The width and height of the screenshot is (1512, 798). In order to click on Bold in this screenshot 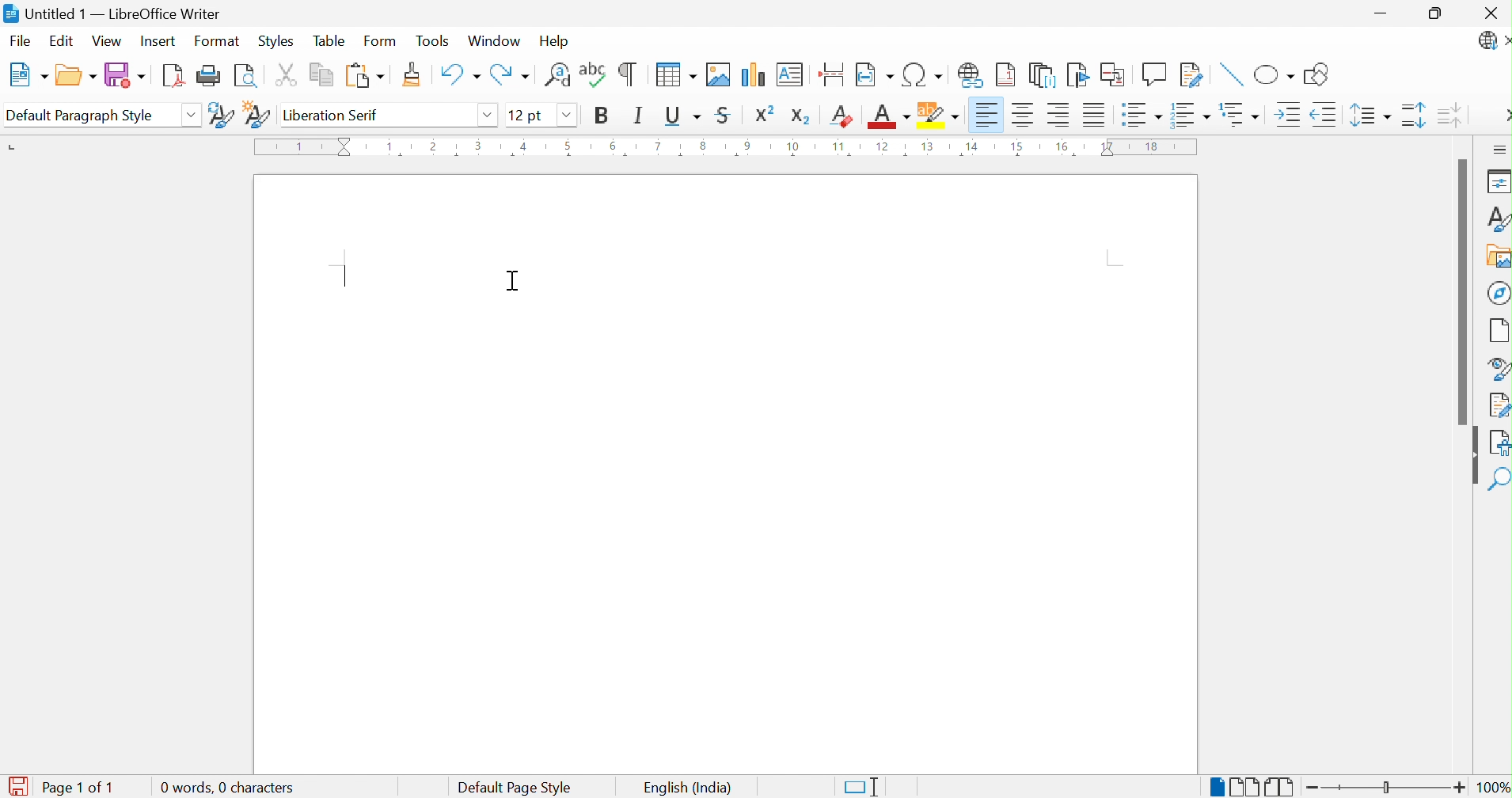, I will do `click(602, 113)`.